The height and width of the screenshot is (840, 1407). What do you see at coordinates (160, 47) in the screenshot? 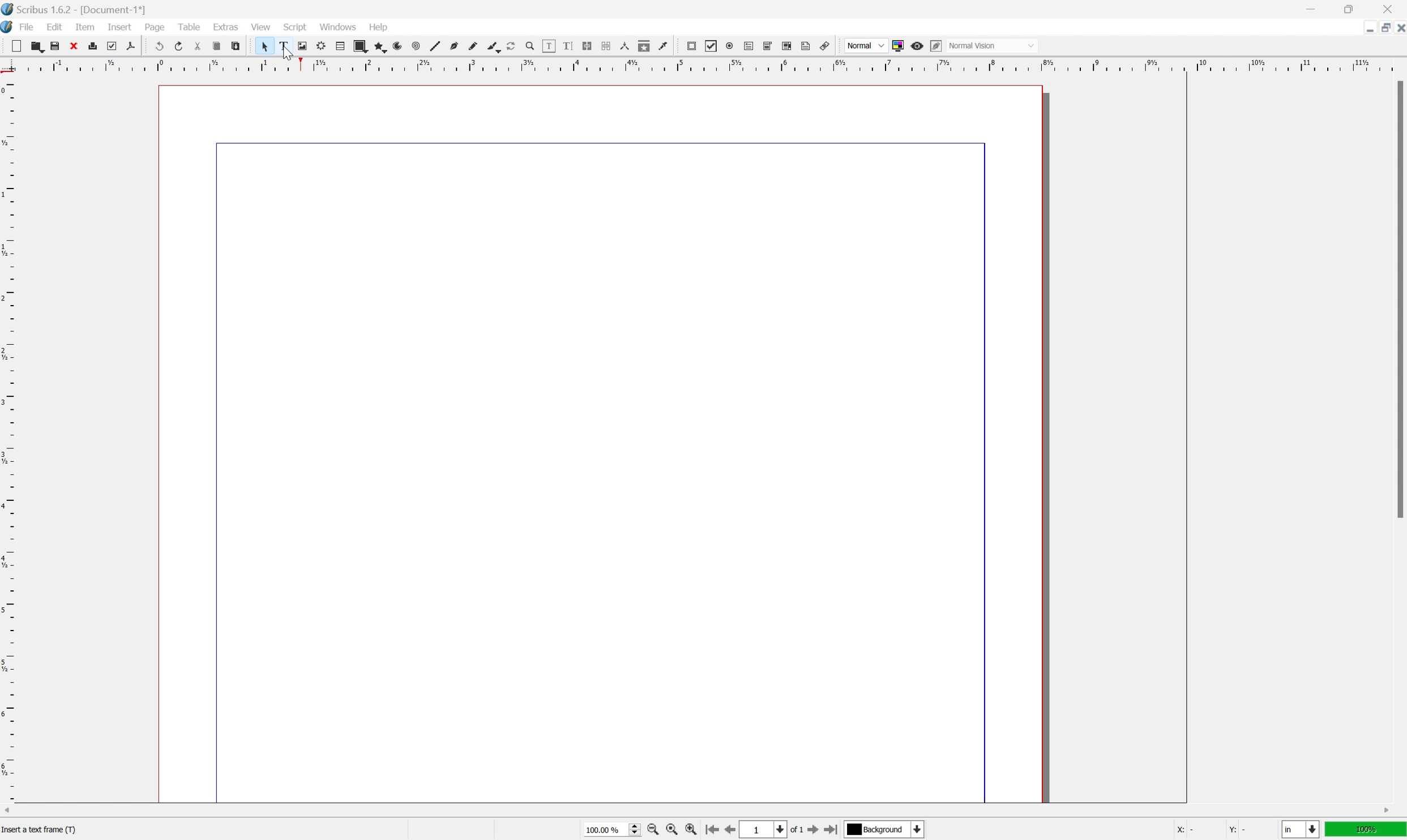
I see `undo` at bounding box center [160, 47].